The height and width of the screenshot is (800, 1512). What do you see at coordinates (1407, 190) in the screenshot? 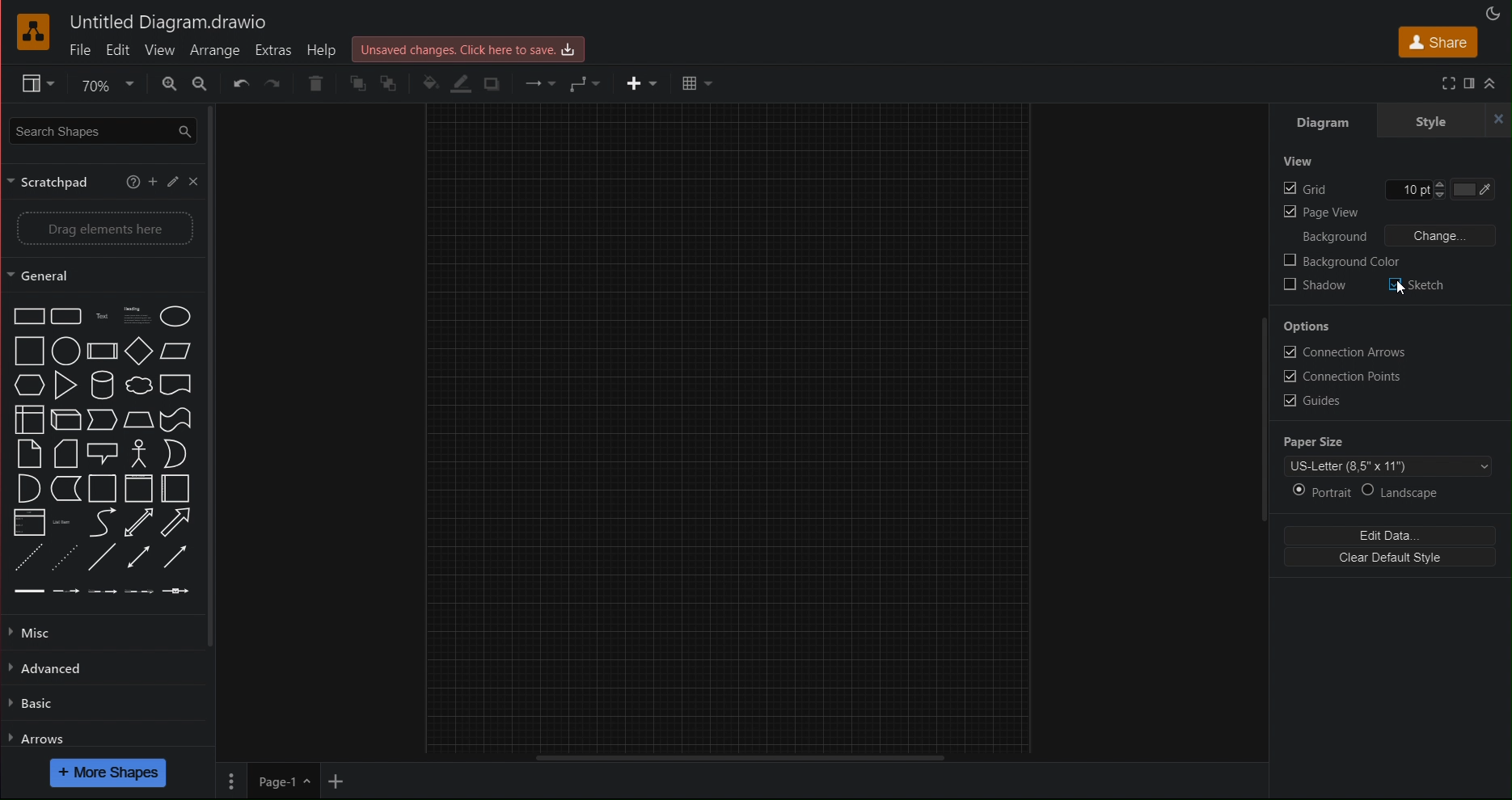
I see `edit Grid pt` at bounding box center [1407, 190].